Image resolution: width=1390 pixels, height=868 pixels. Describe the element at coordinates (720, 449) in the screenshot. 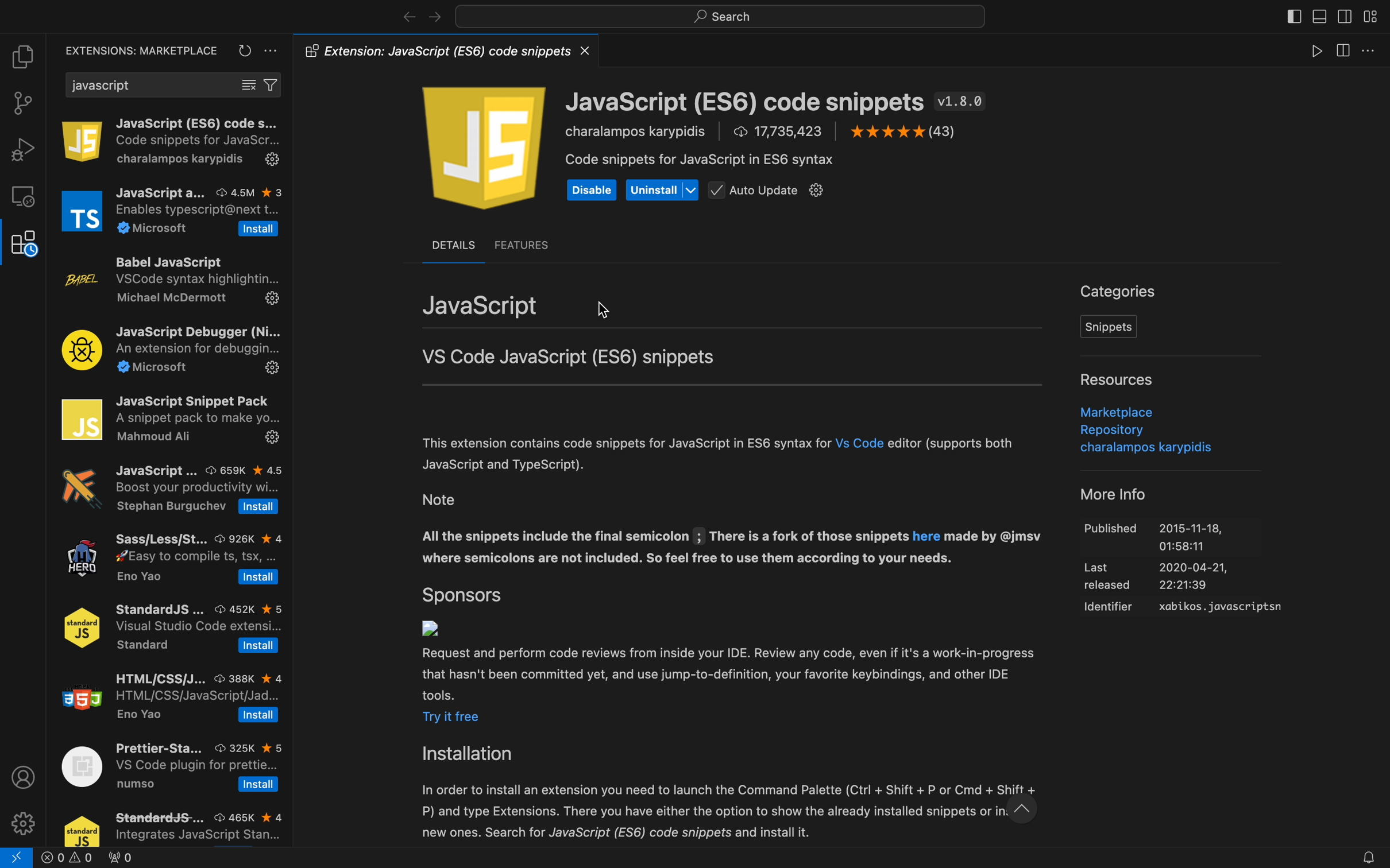

I see `This extension contains code snippets for JavaScript in ES6 syntax for Vs Code editor (supports both
JavaScript and TypeScript).` at that location.